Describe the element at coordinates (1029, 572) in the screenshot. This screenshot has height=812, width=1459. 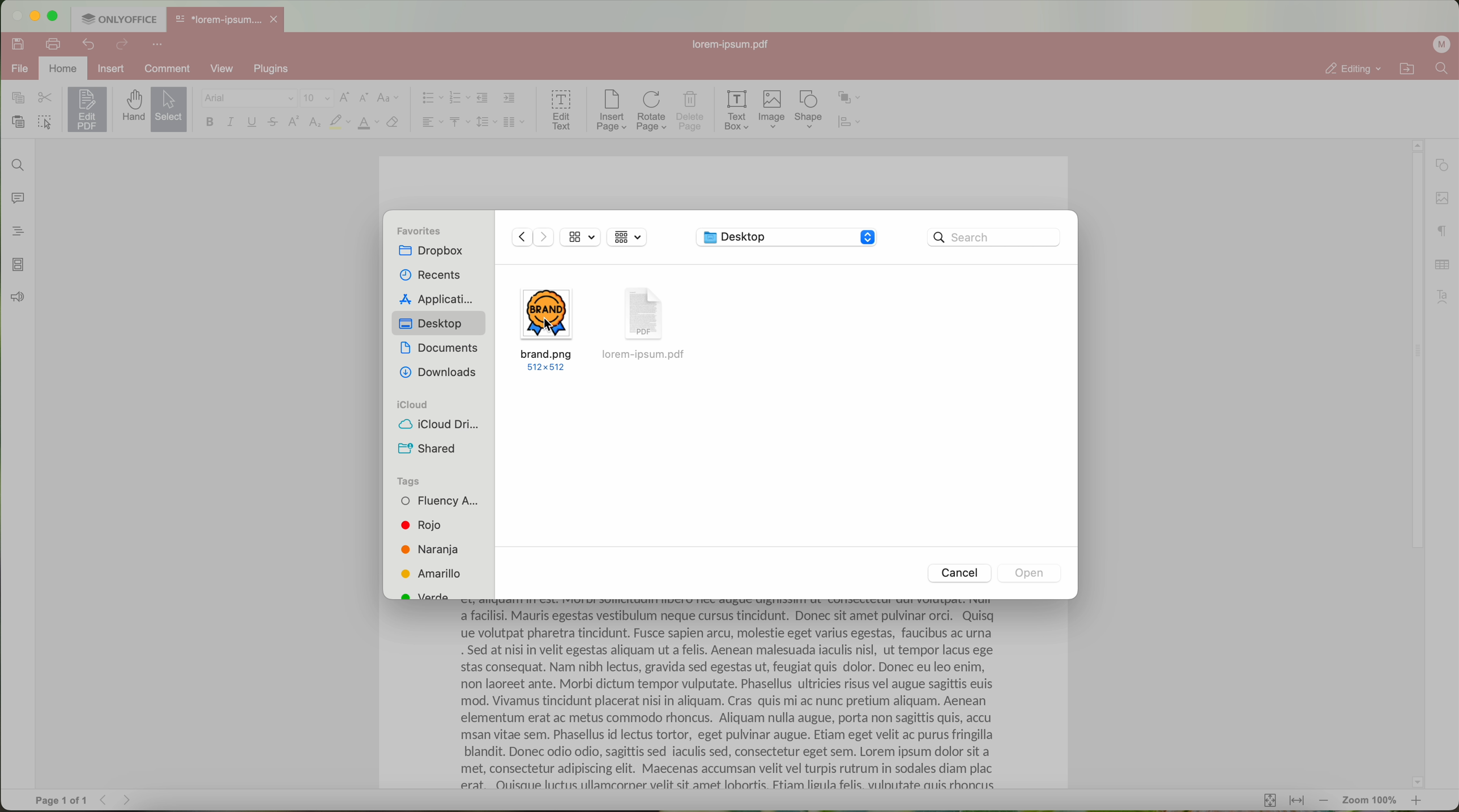
I see `Open` at that location.